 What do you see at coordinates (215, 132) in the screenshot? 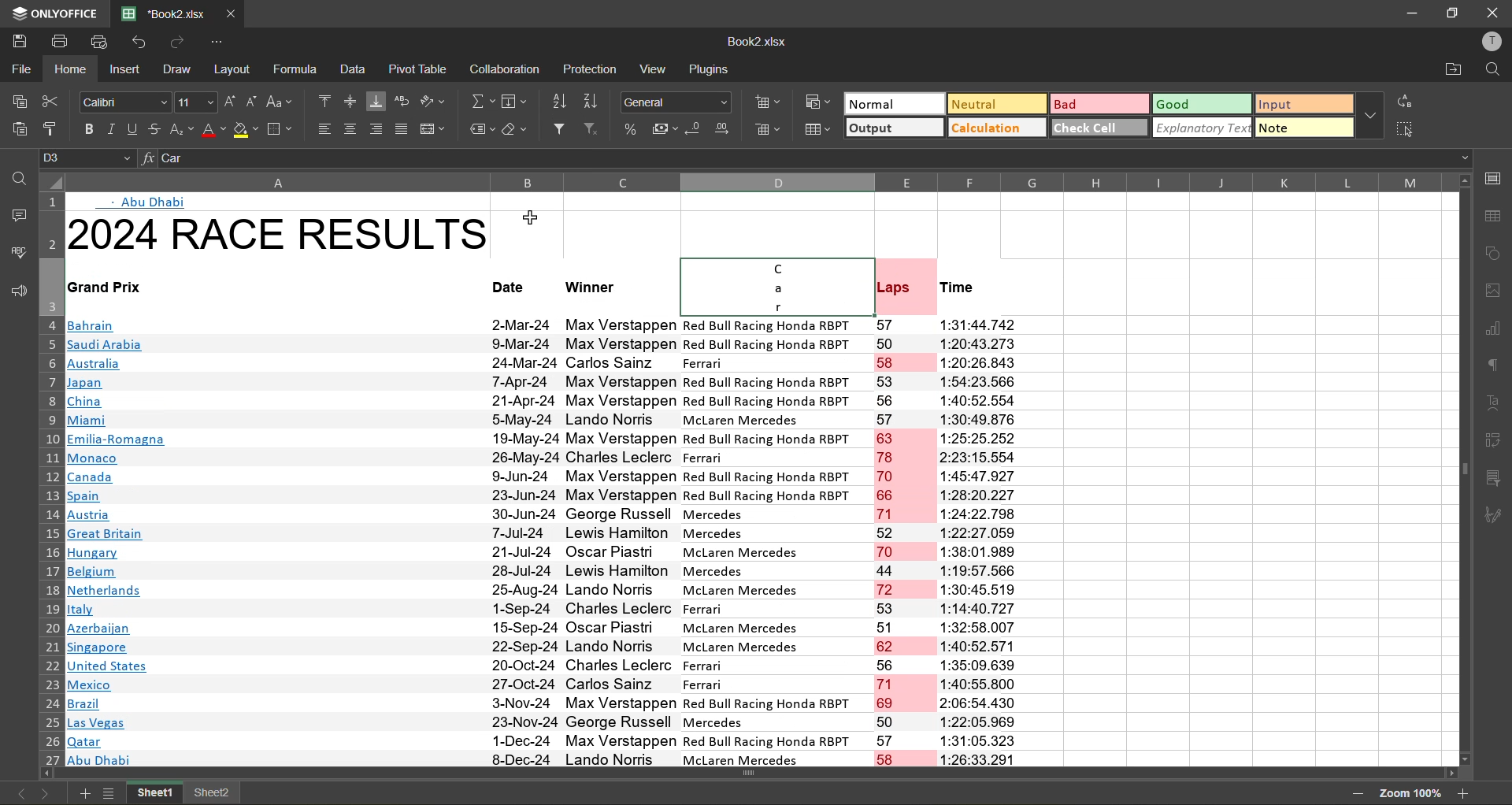
I see `font color` at bounding box center [215, 132].